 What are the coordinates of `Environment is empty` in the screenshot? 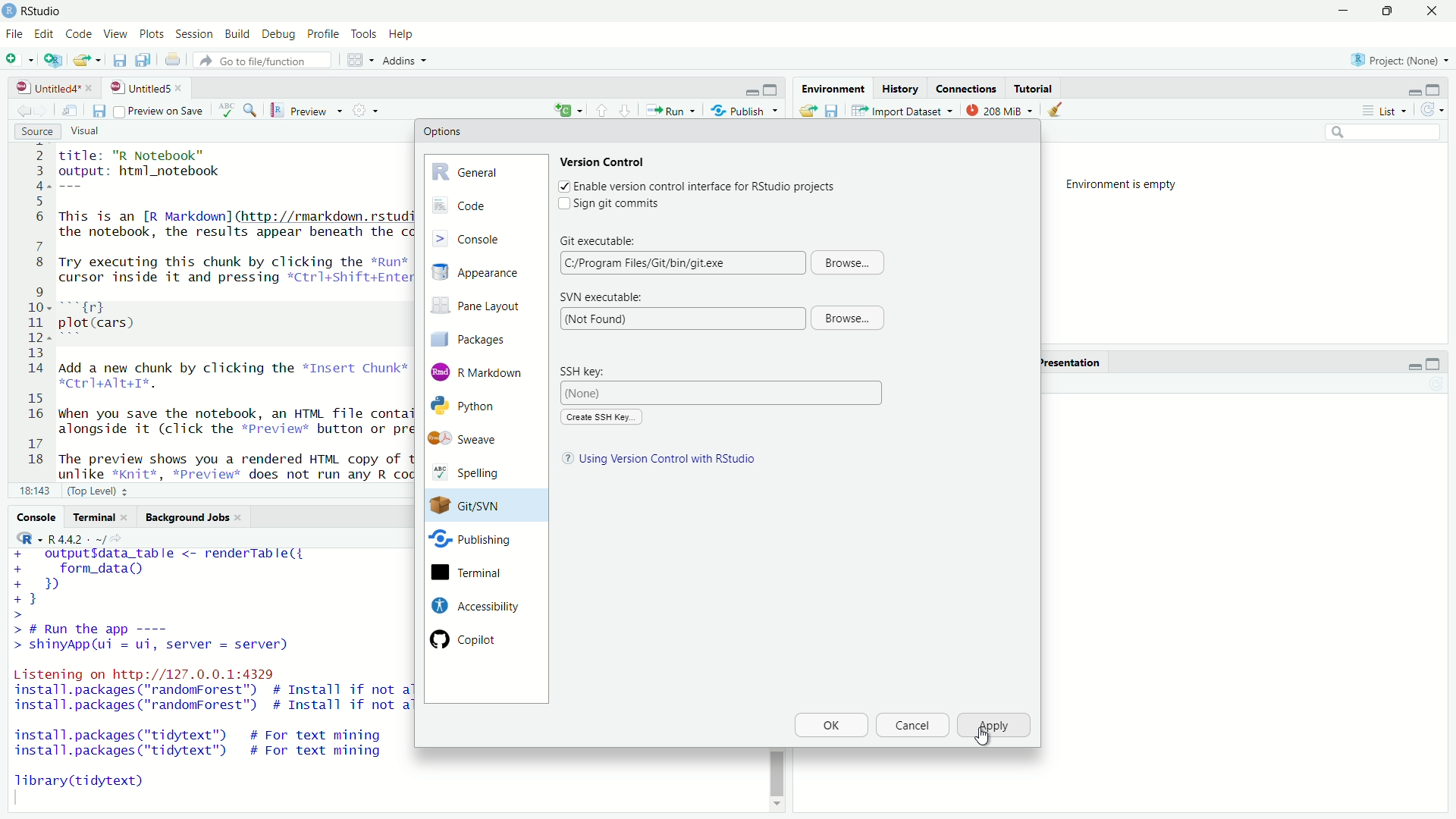 It's located at (1127, 185).